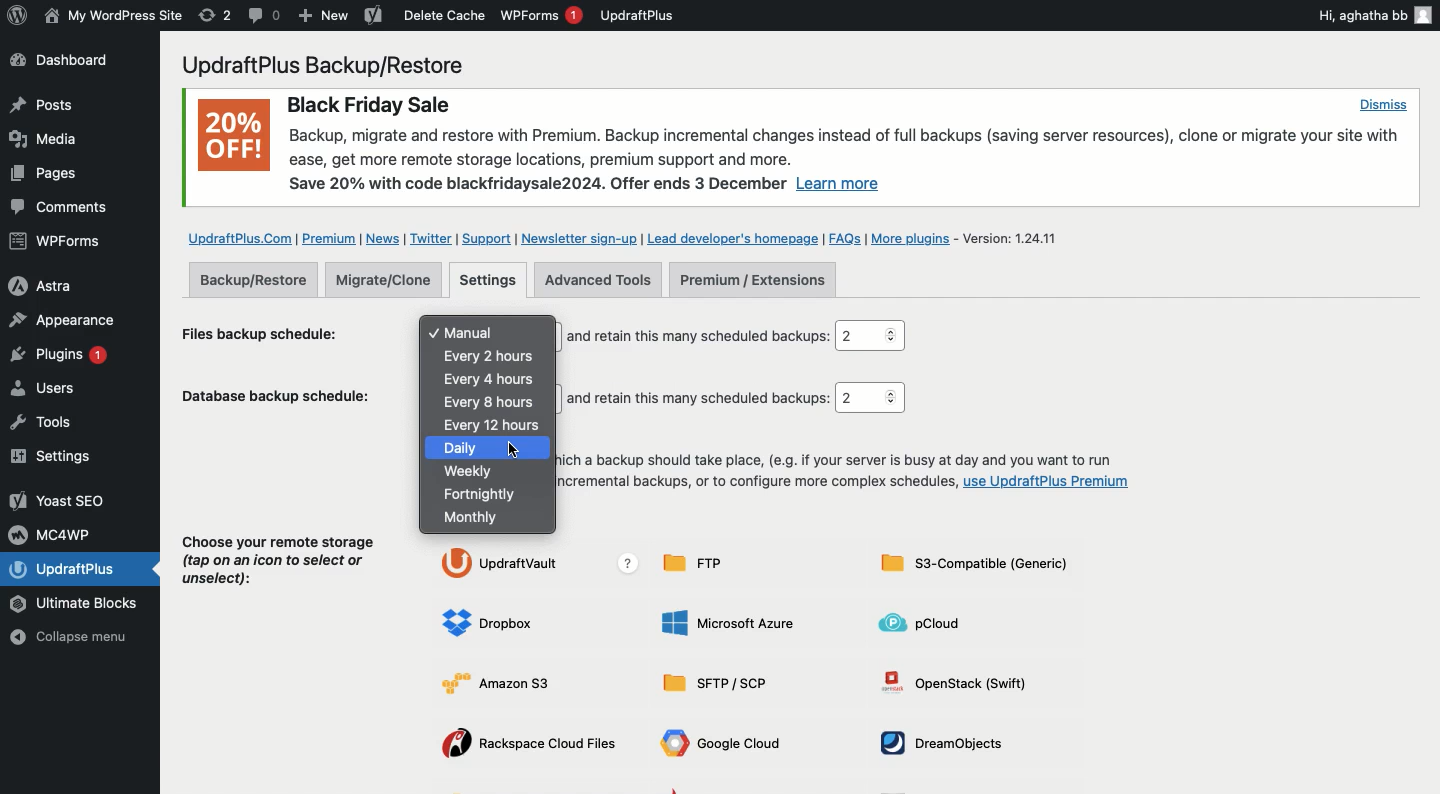 The image size is (1440, 794). I want to click on Newsletter sign up, so click(576, 238).